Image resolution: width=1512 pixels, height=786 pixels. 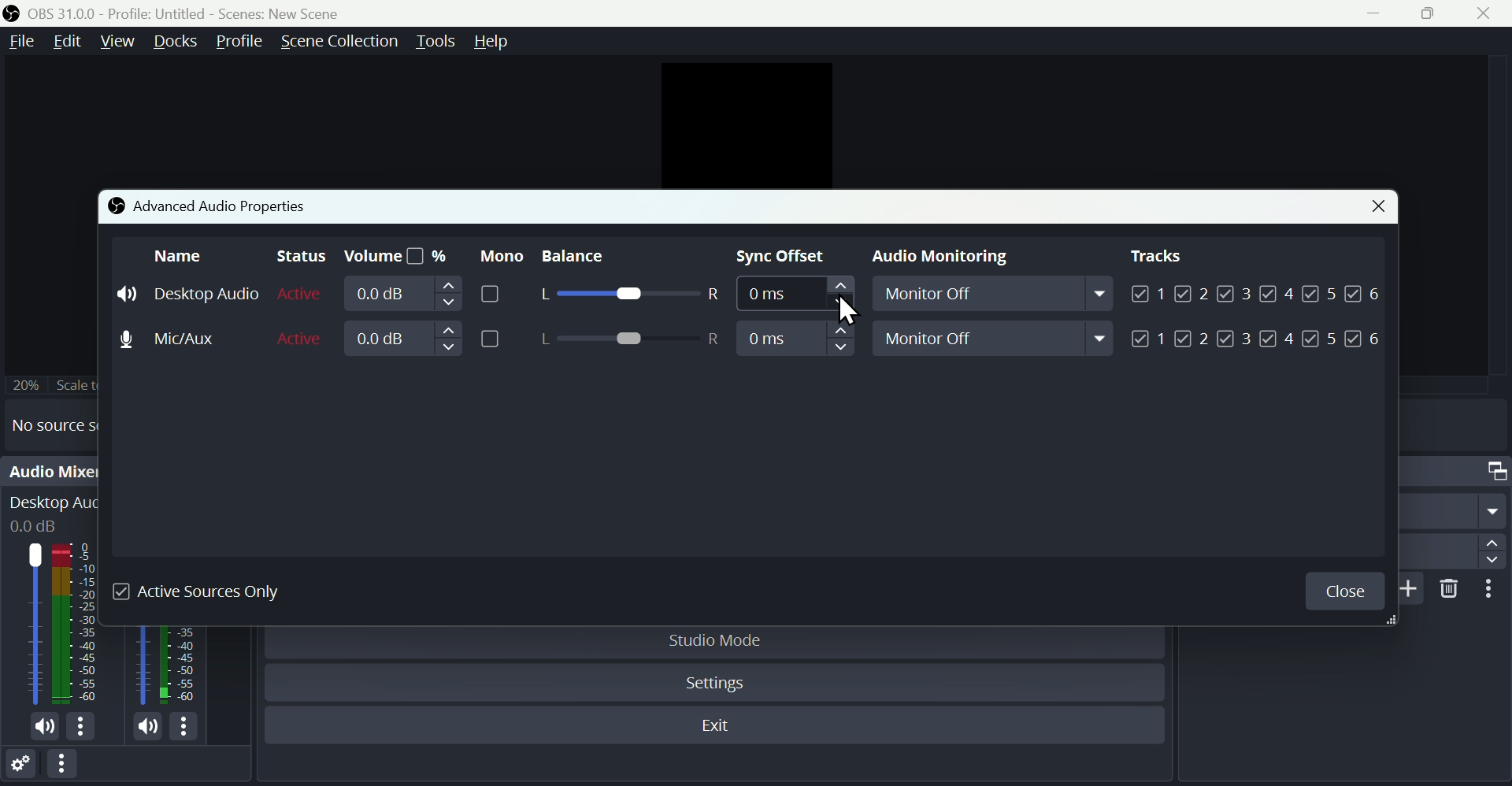 What do you see at coordinates (301, 294) in the screenshot?
I see `Active` at bounding box center [301, 294].